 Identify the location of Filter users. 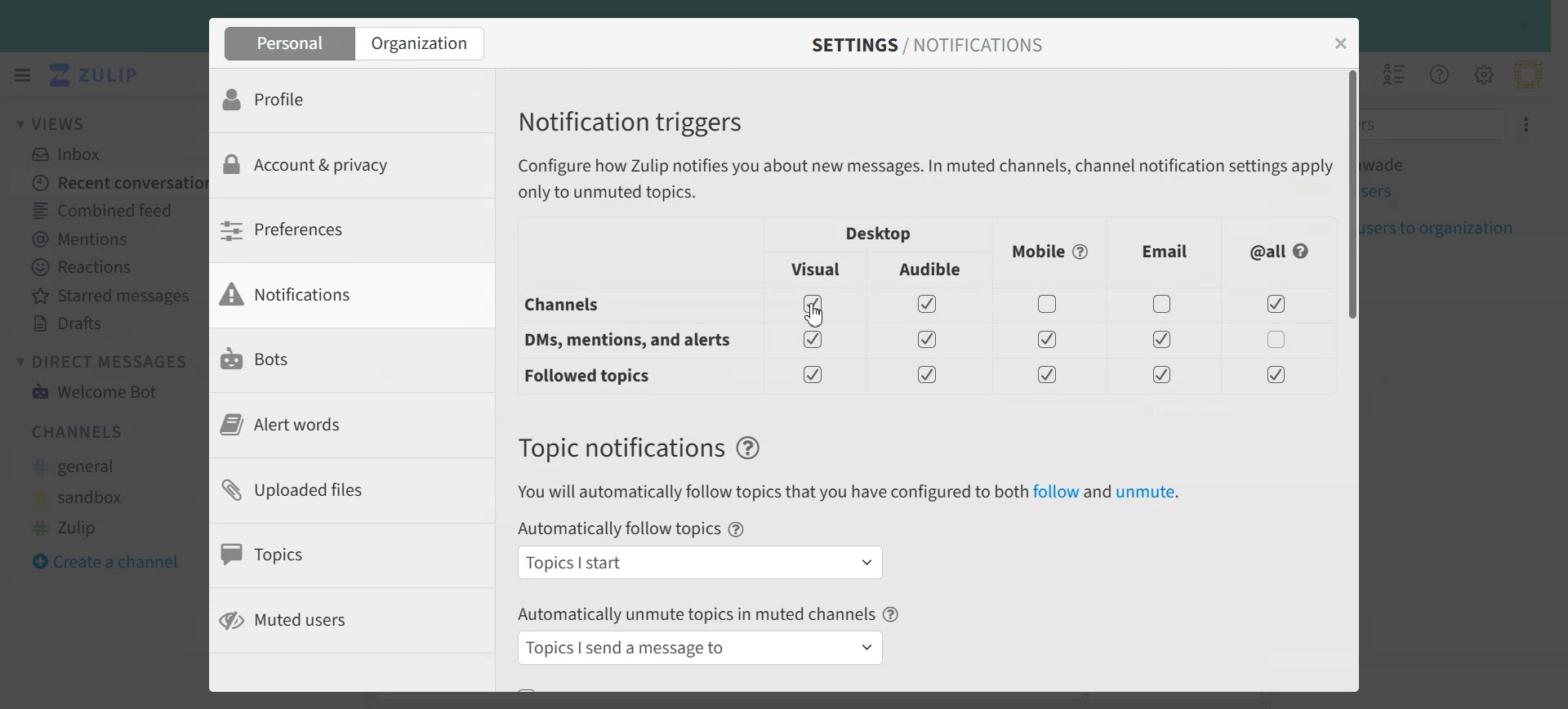
(1437, 123).